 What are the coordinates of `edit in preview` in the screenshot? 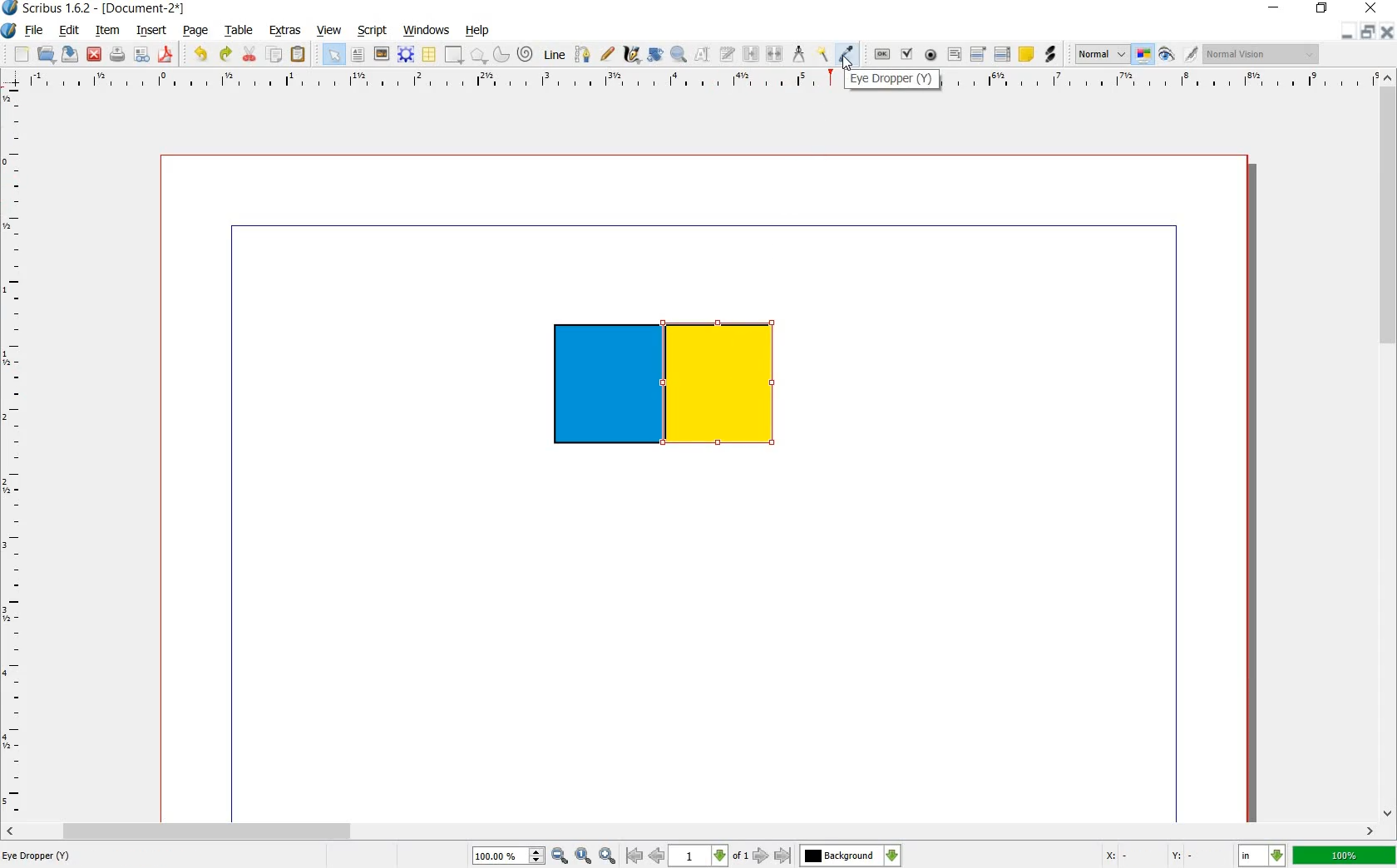 It's located at (1190, 53).